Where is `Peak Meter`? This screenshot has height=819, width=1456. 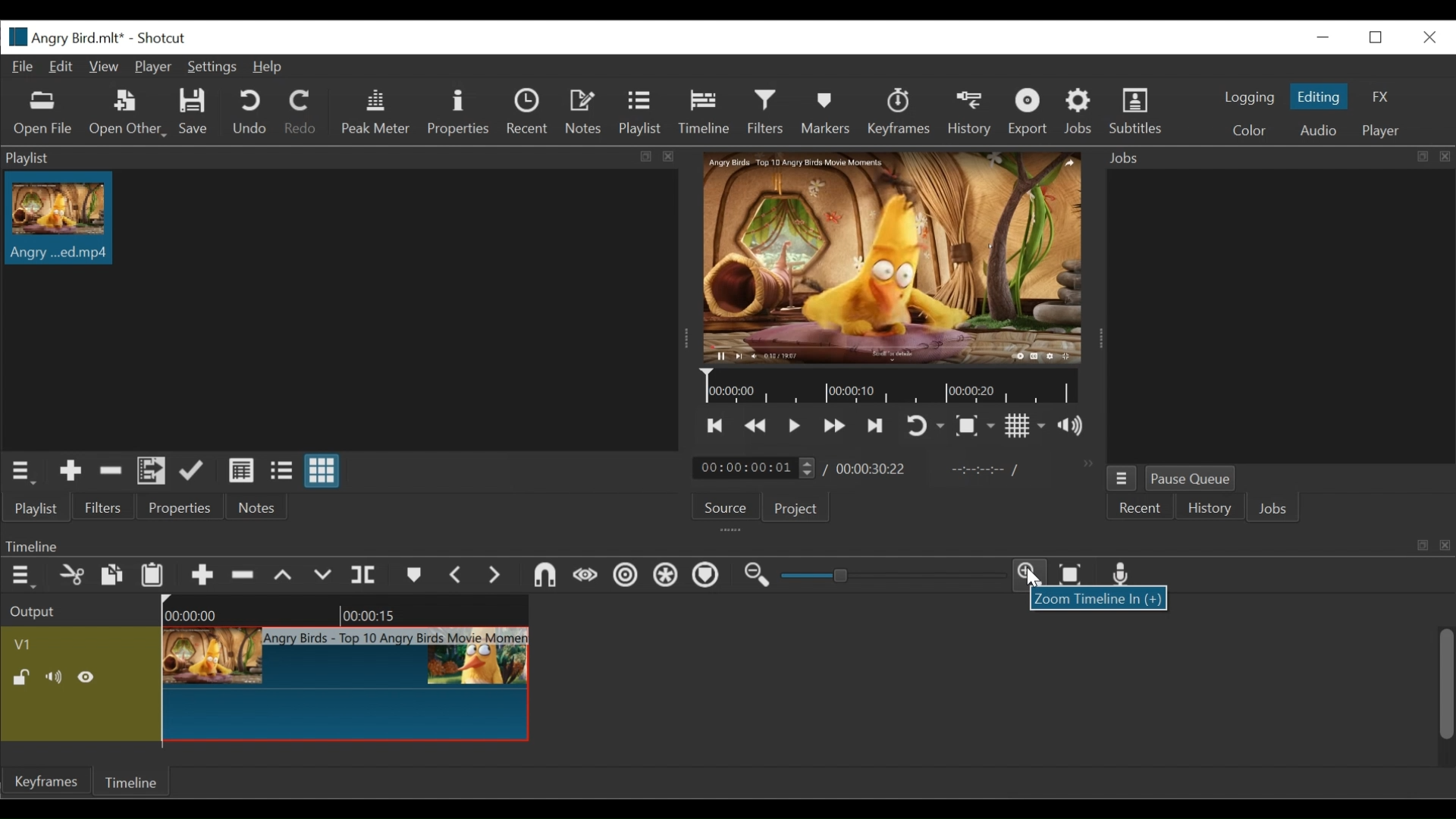 Peak Meter is located at coordinates (375, 111).